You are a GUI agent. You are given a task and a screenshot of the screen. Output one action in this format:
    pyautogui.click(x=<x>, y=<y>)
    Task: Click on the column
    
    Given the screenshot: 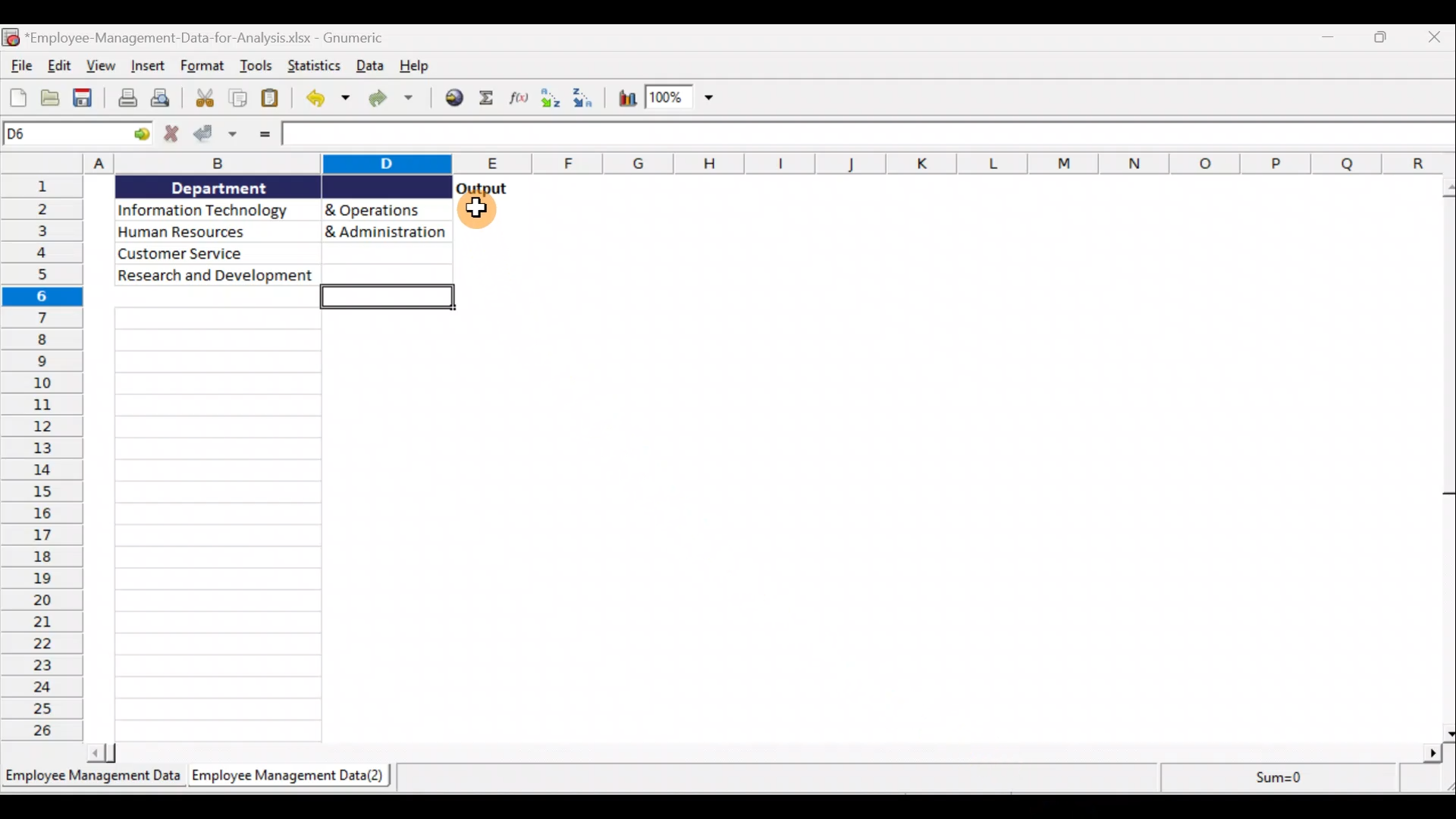 What is the action you would take?
    pyautogui.click(x=219, y=524)
    